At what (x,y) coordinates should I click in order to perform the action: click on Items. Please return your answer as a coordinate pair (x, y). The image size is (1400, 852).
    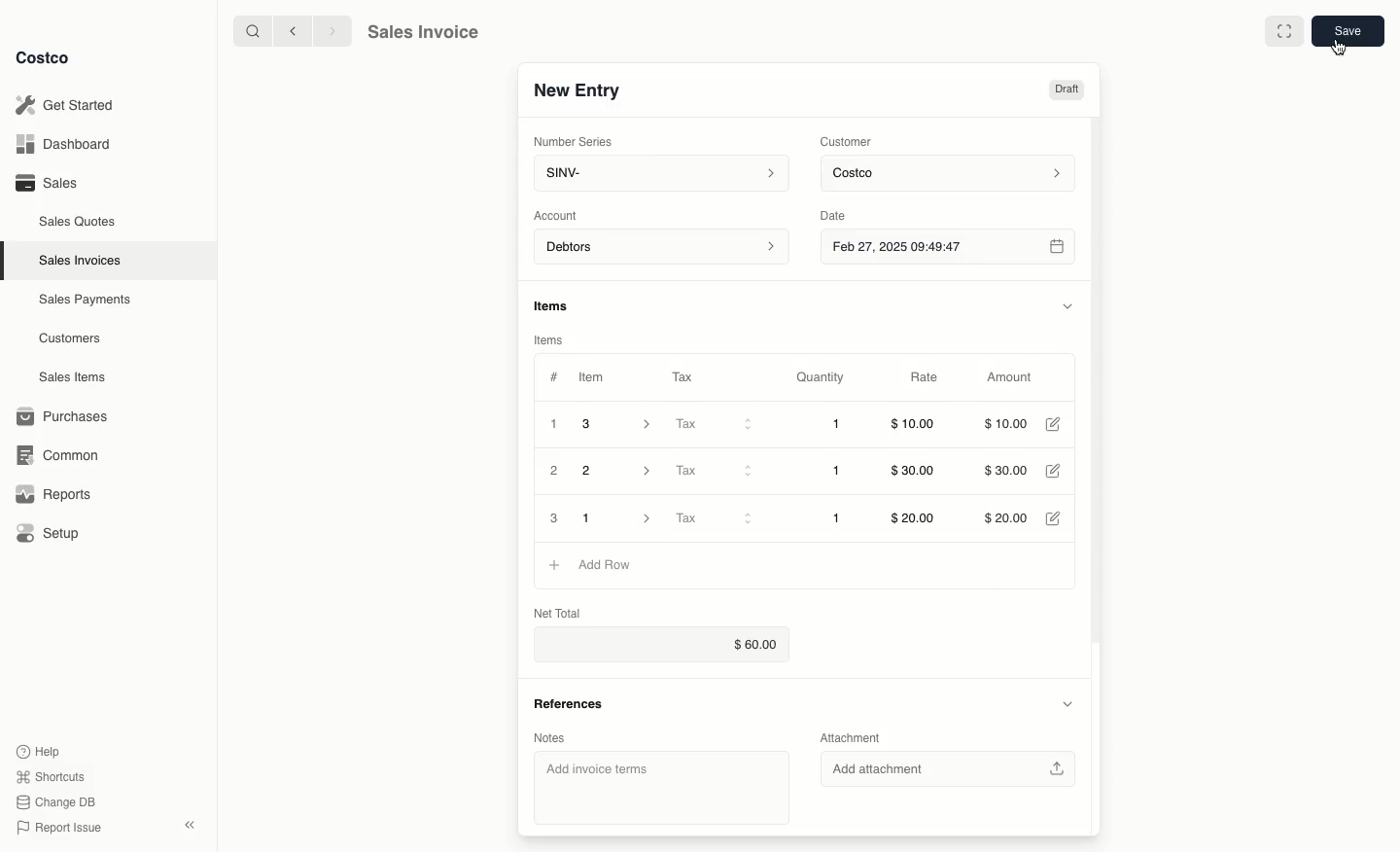
    Looking at the image, I should click on (552, 340).